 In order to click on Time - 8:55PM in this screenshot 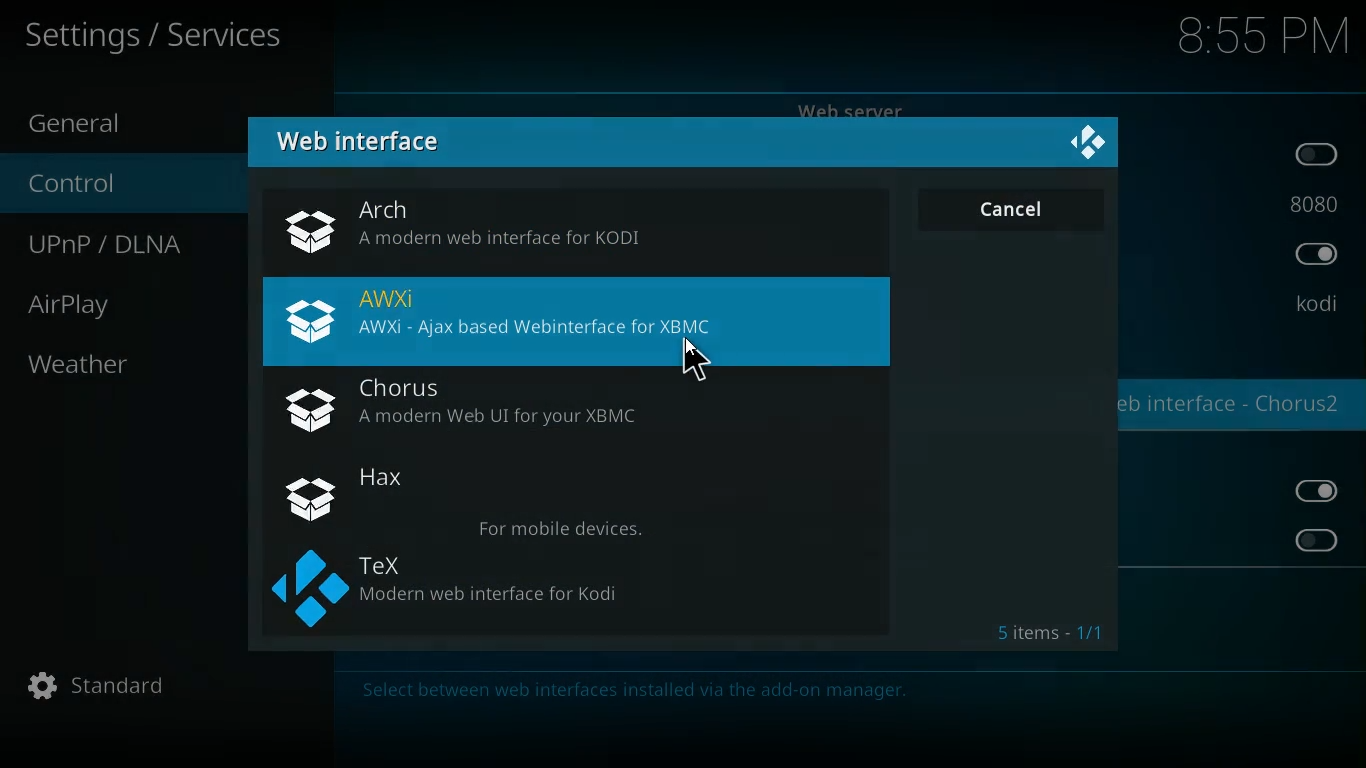, I will do `click(1263, 37)`.